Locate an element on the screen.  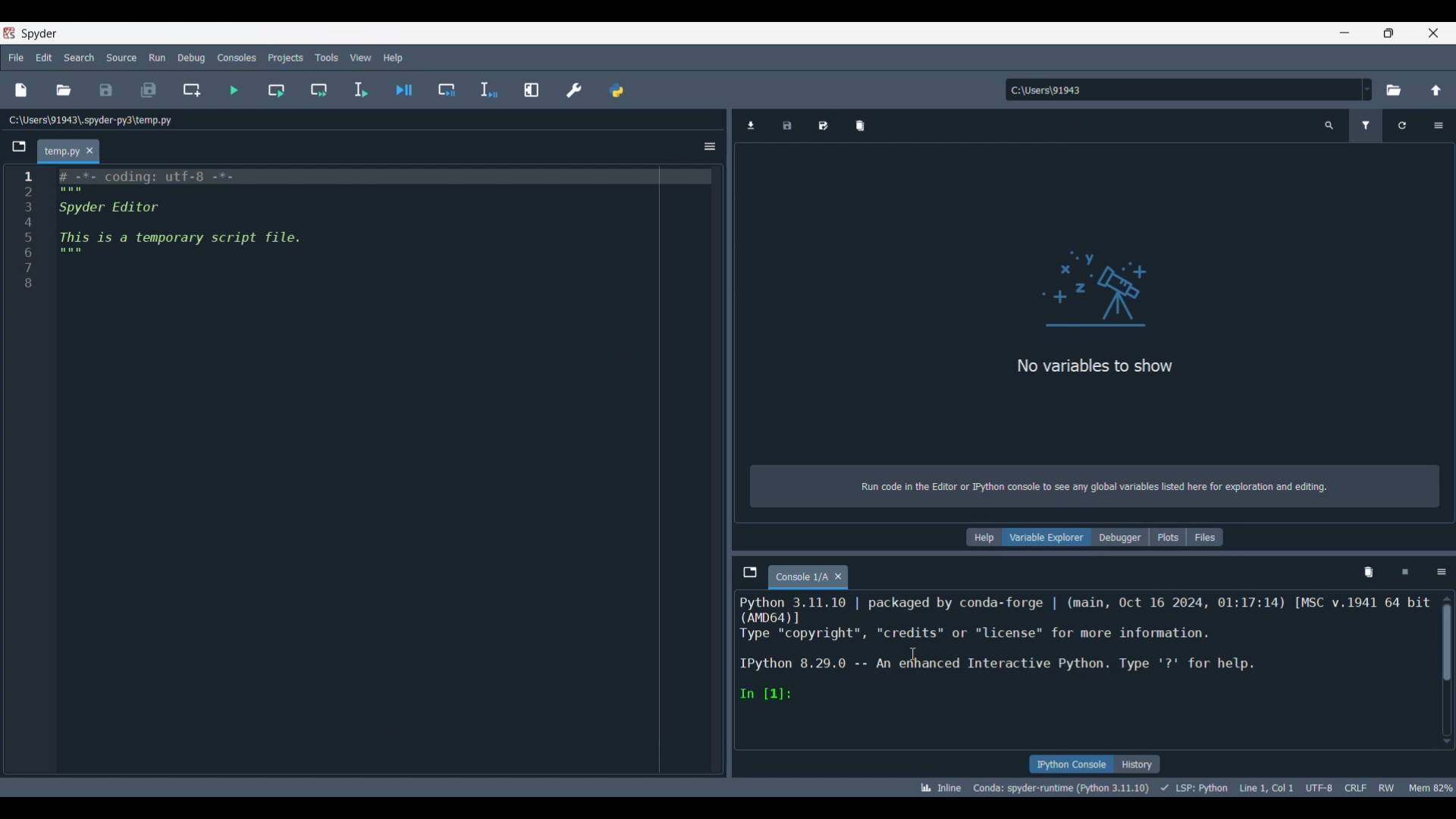
Debug selection/current line is located at coordinates (488, 90).